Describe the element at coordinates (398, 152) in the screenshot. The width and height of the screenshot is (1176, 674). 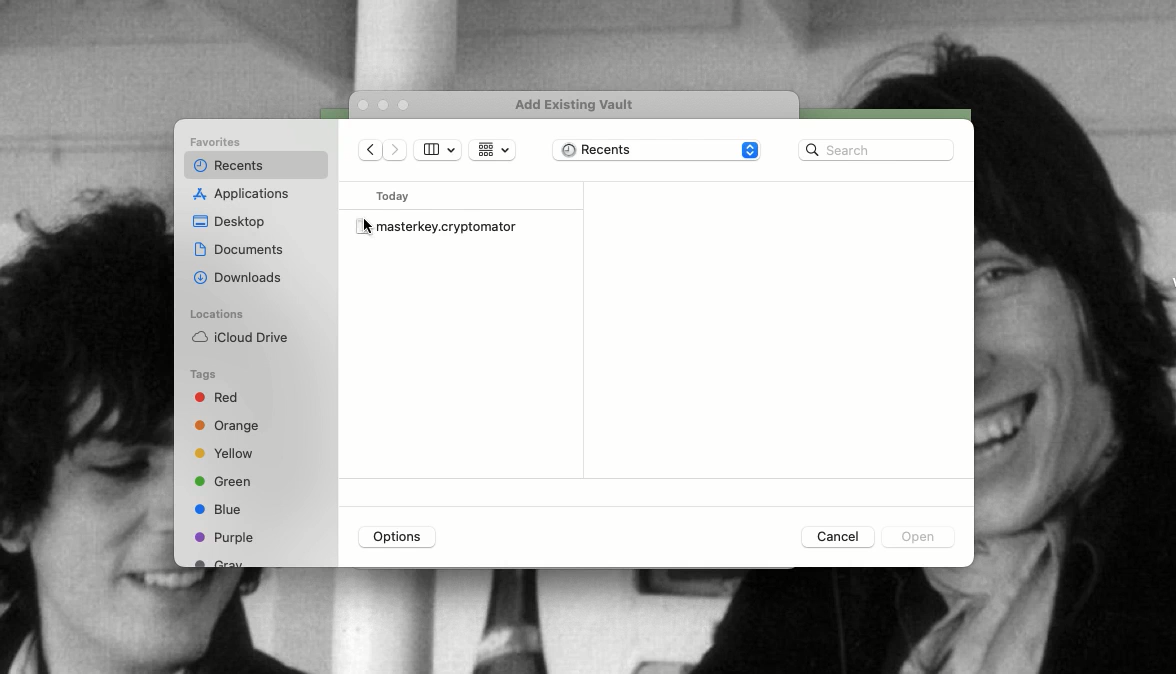
I see `Next` at that location.